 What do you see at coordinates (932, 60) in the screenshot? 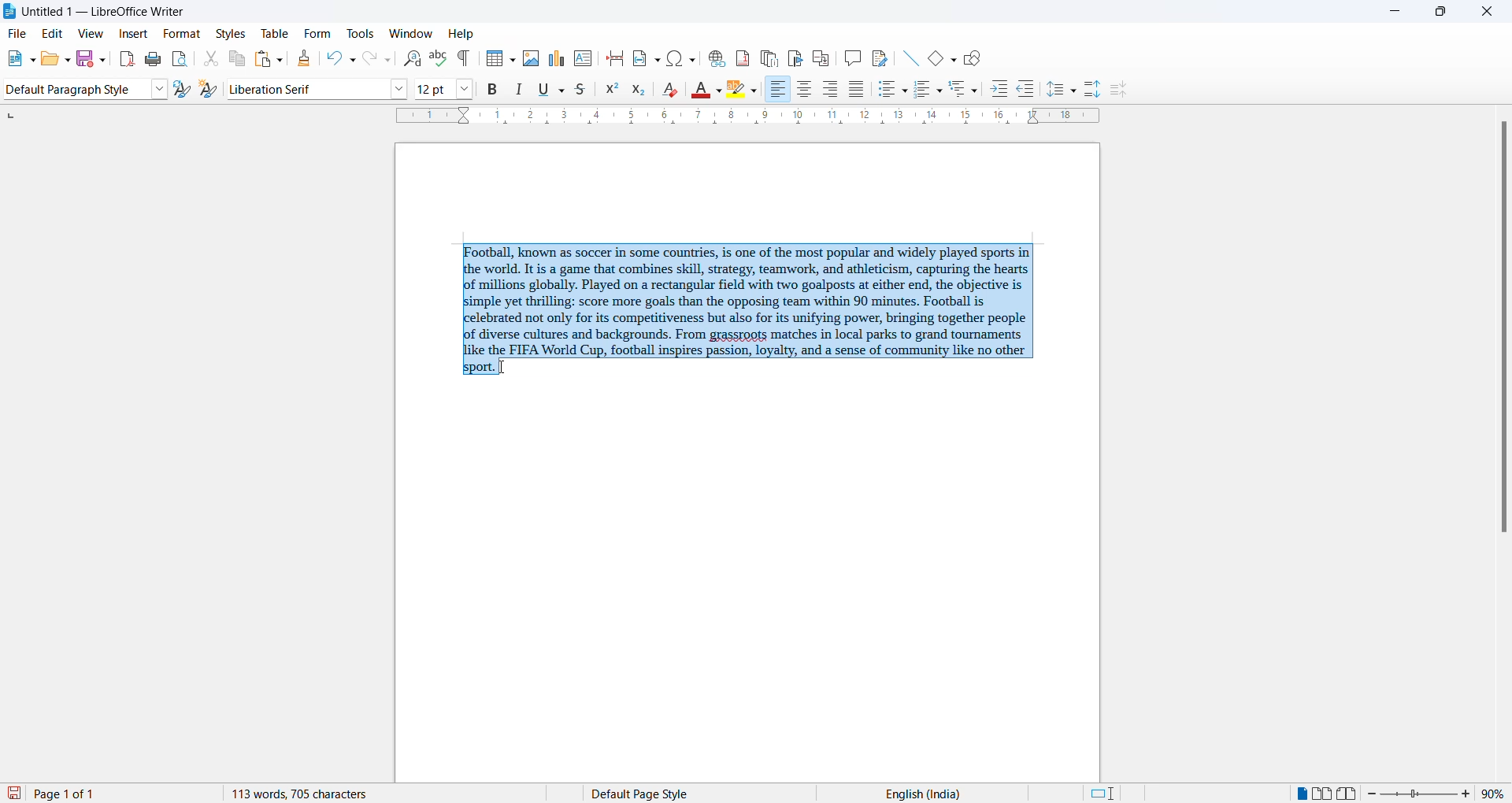
I see `basic shapes` at bounding box center [932, 60].